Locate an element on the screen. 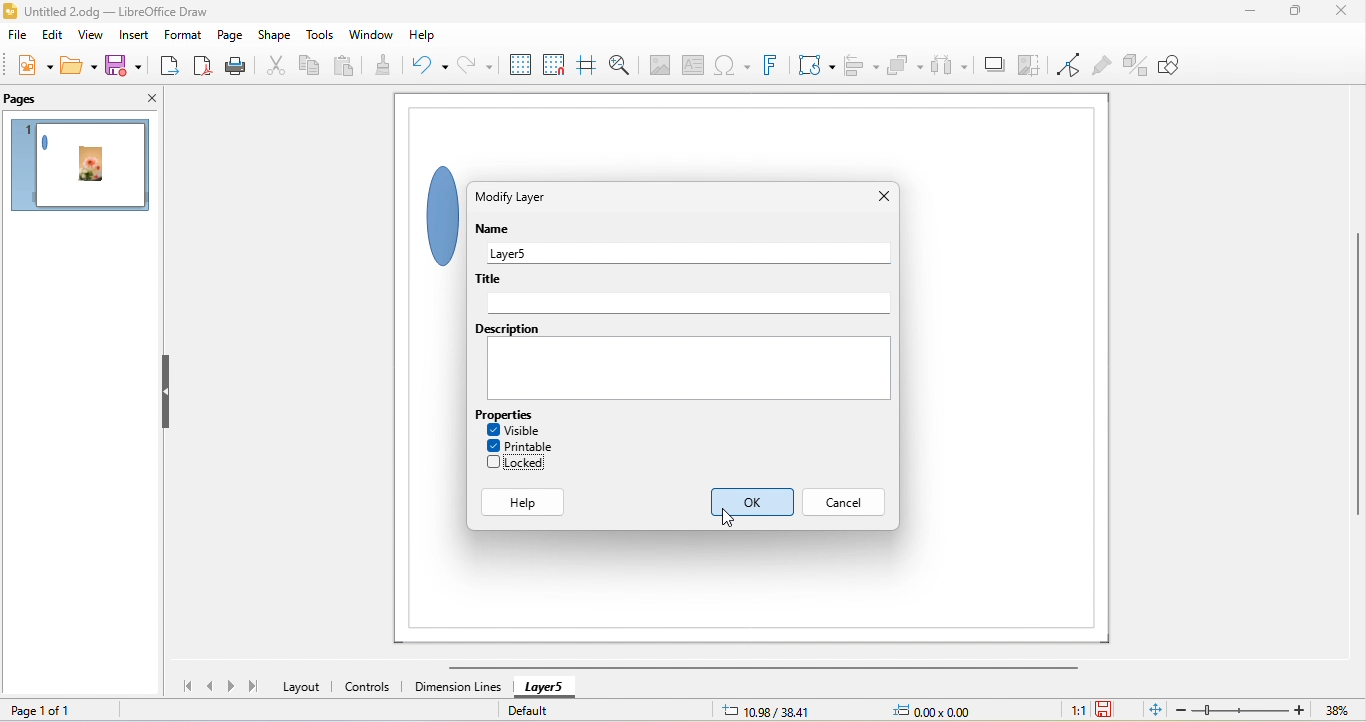 This screenshot has height=722, width=1366. properties is located at coordinates (518, 413).